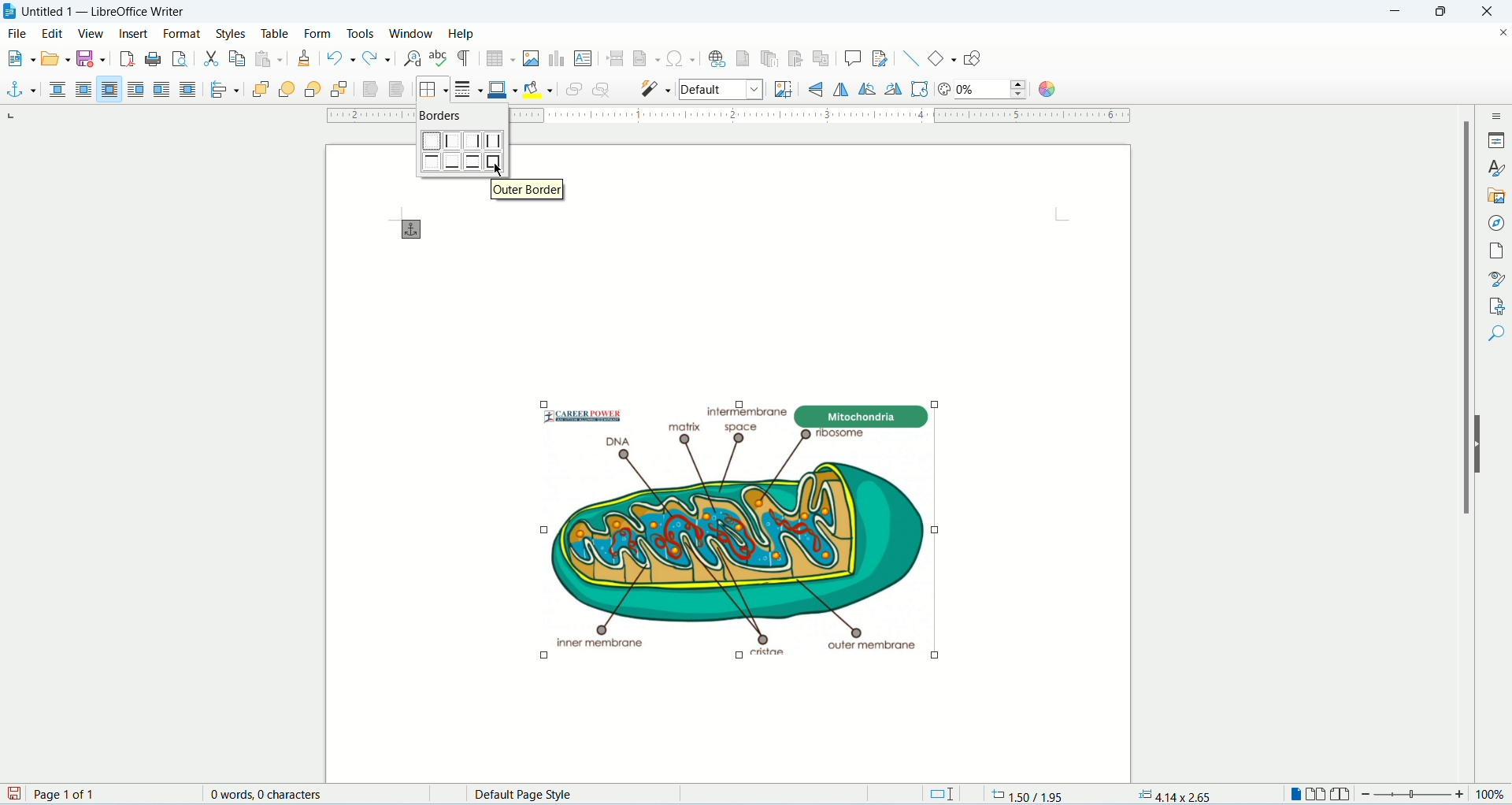 The width and height of the screenshot is (1512, 805). Describe the element at coordinates (1496, 362) in the screenshot. I see `find` at that location.